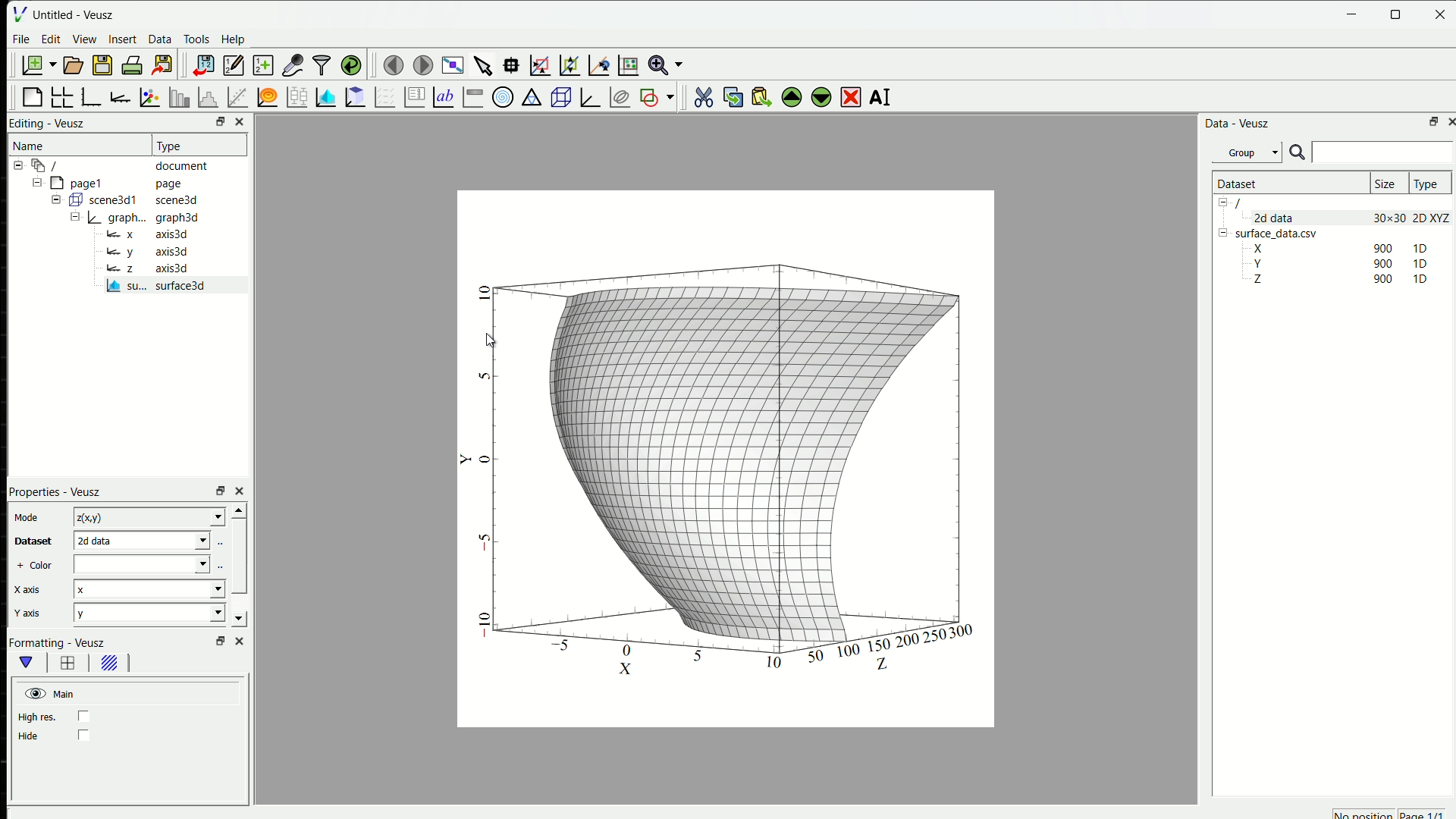 Image resolution: width=1456 pixels, height=819 pixels. I want to click on click to zoom out of a graph axes, so click(571, 64).